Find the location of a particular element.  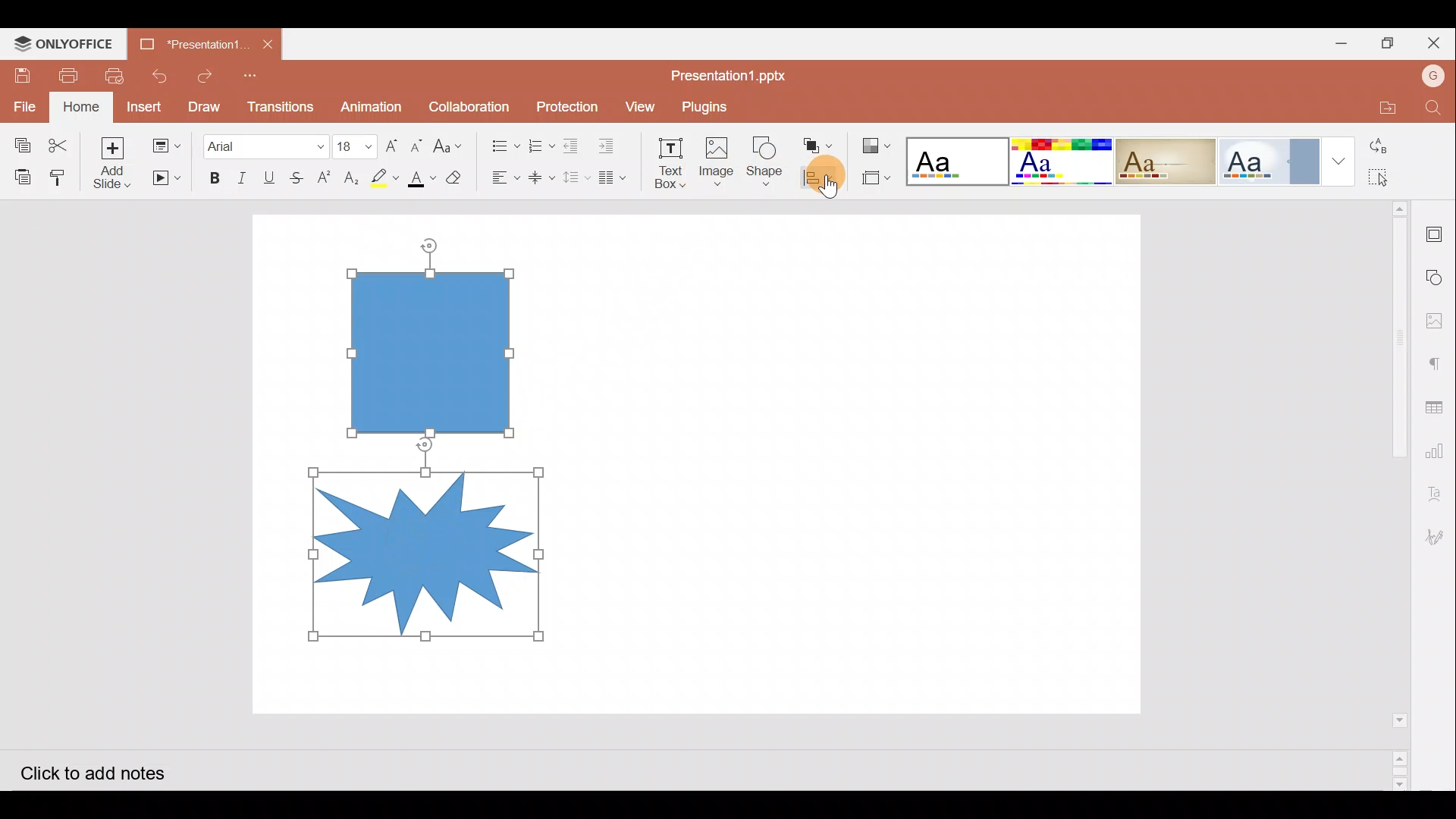

Increase indent is located at coordinates (611, 142).